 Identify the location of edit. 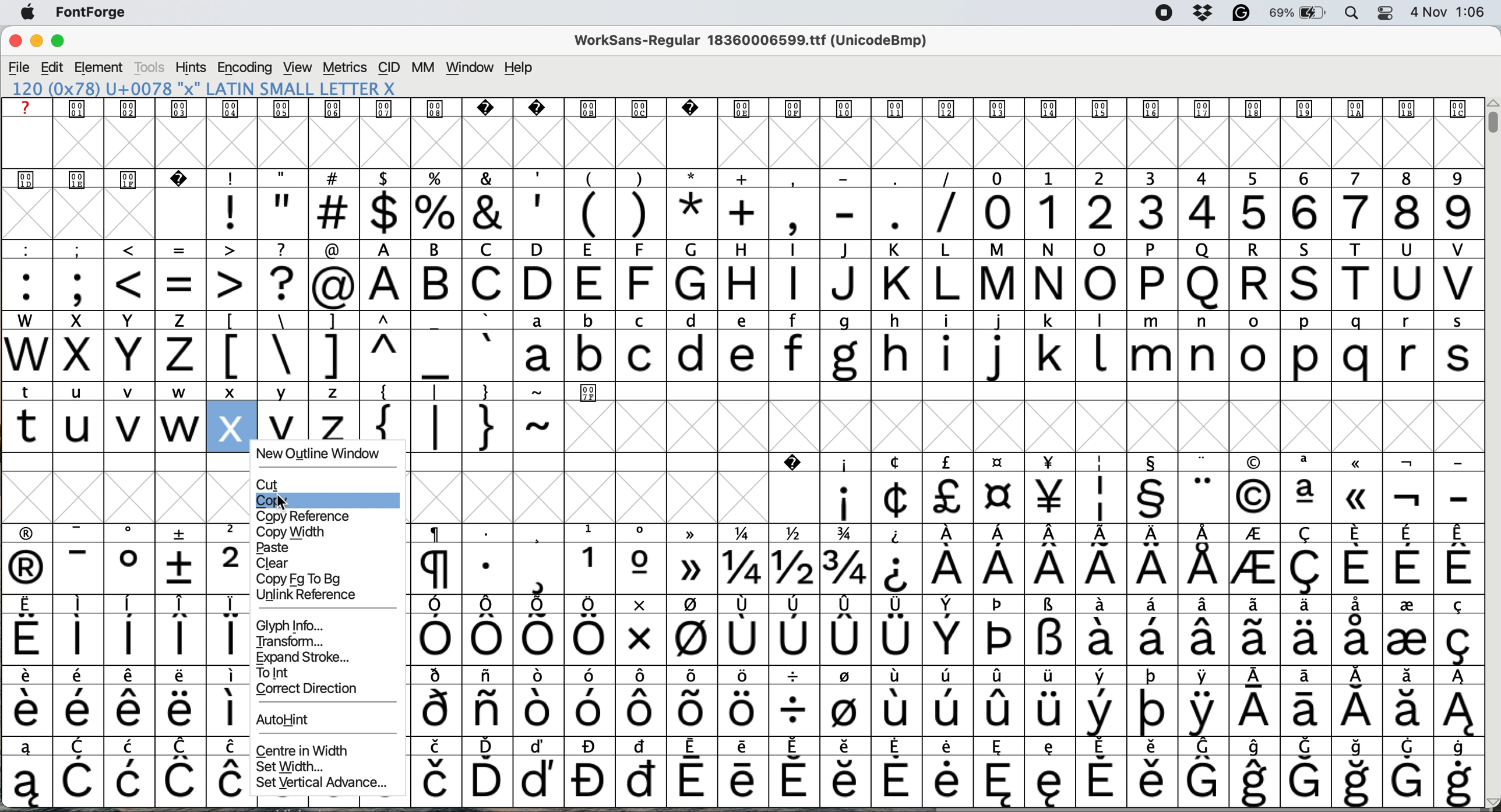
(54, 67).